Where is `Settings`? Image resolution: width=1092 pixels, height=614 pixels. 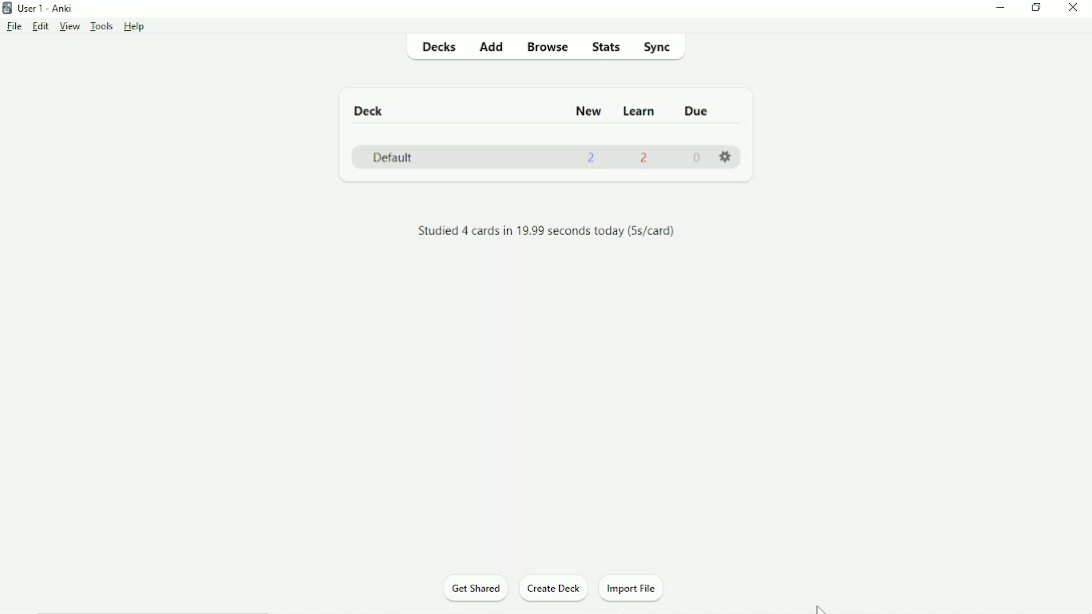 Settings is located at coordinates (730, 159).